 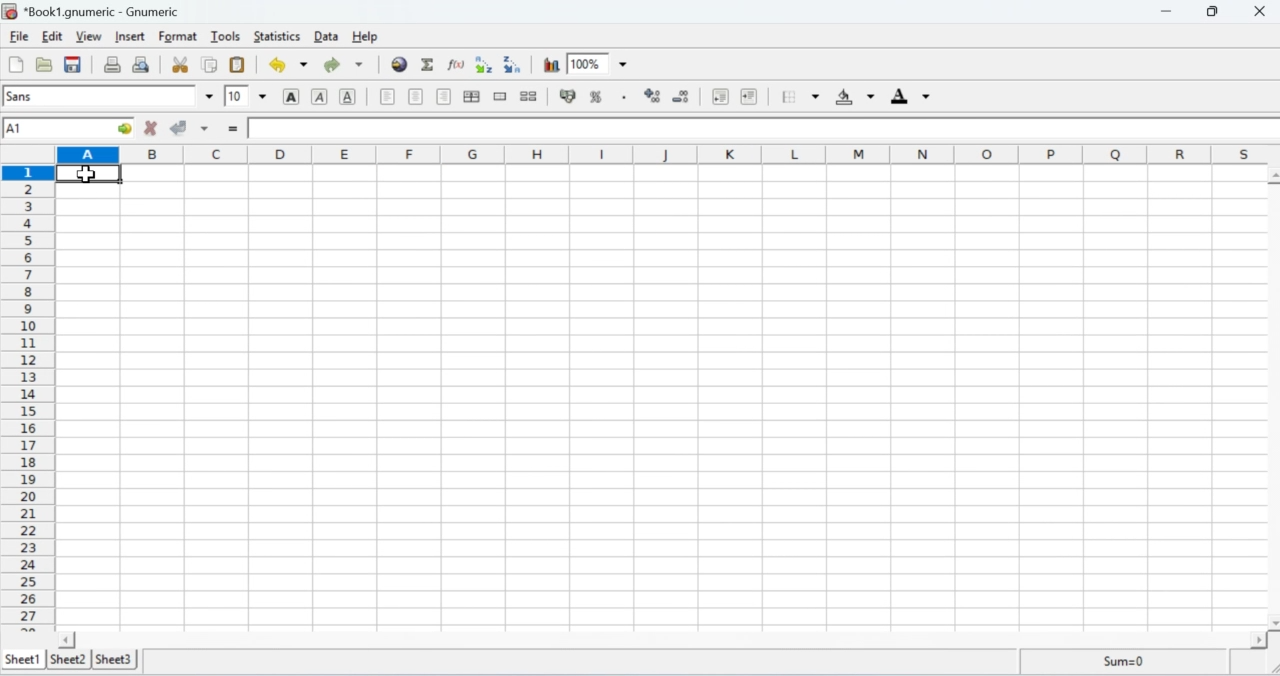 What do you see at coordinates (799, 97) in the screenshot?
I see `Borders` at bounding box center [799, 97].